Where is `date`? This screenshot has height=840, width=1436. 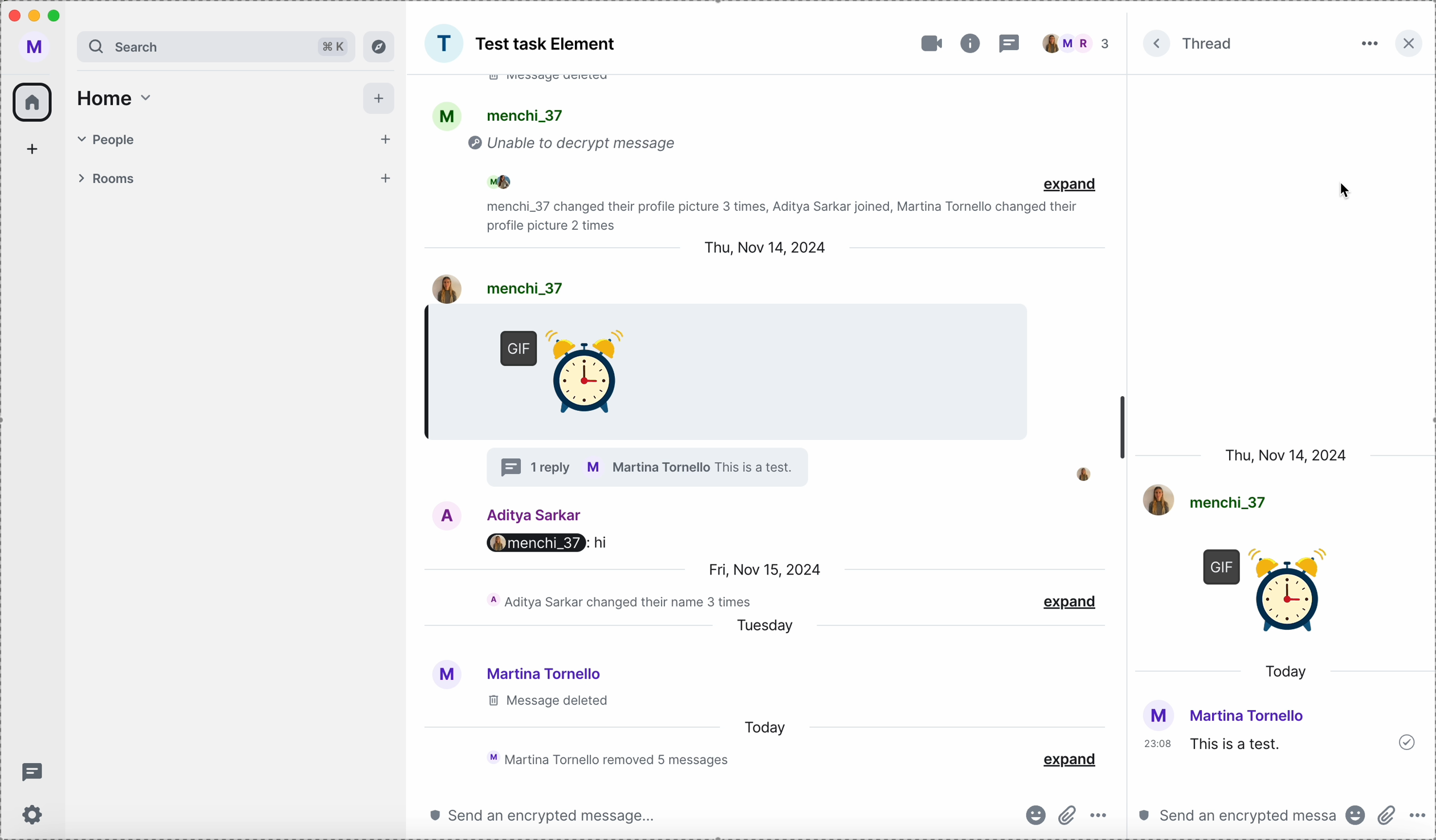 date is located at coordinates (762, 567).